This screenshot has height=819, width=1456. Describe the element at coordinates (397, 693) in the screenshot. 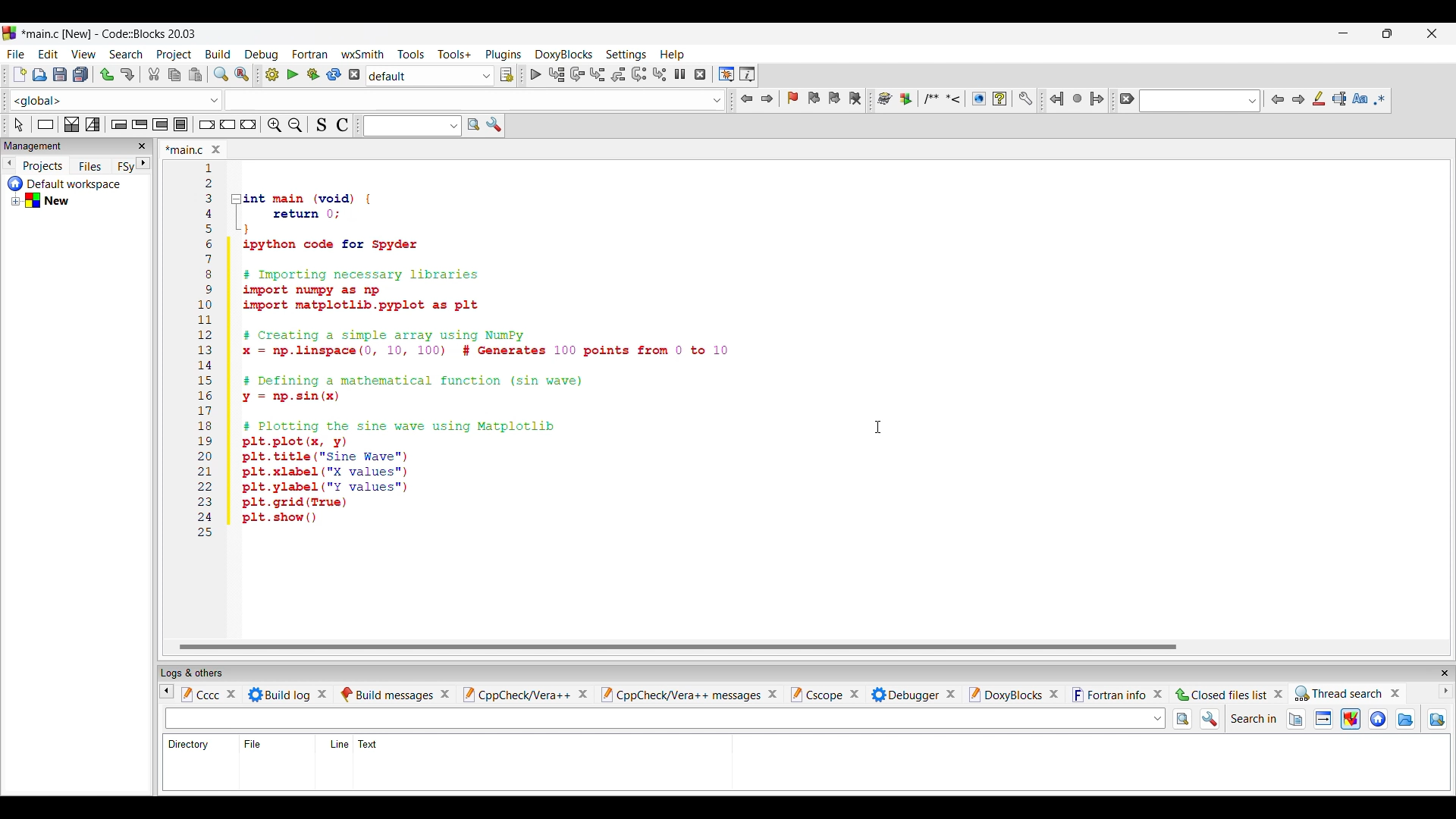

I see `` at that location.